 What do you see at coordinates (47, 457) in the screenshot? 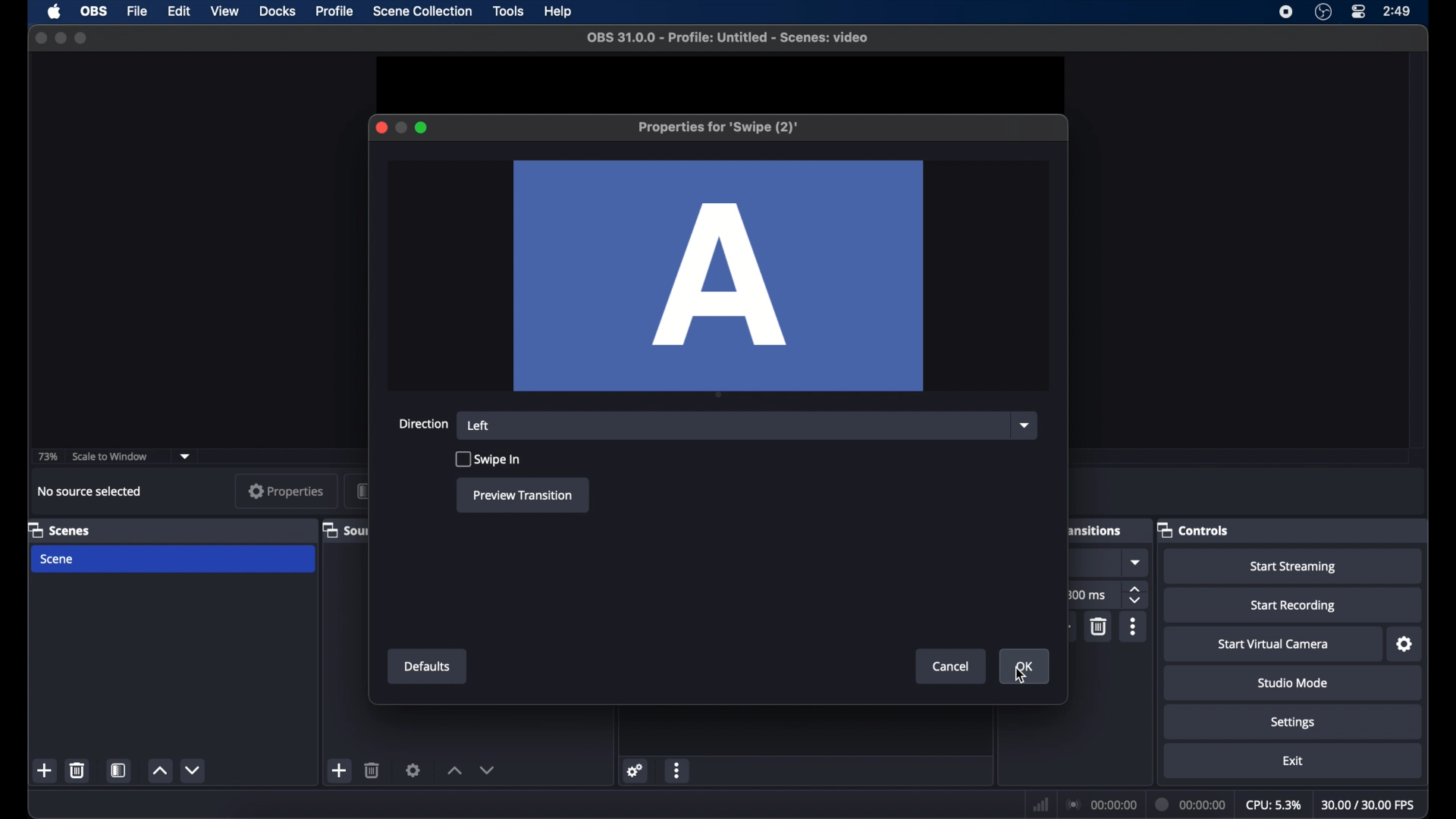
I see `73%` at bounding box center [47, 457].